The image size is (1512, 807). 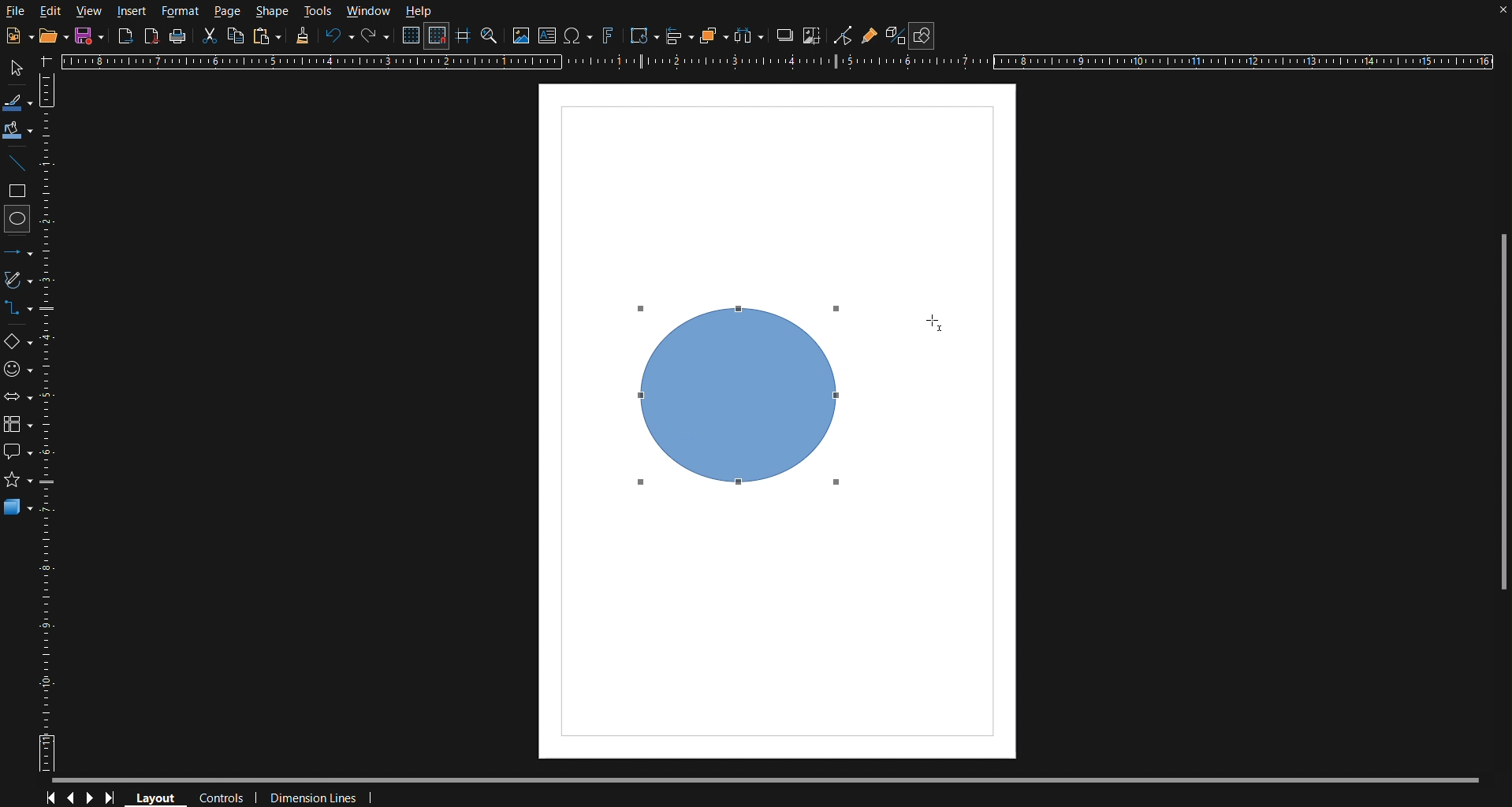 What do you see at coordinates (711, 35) in the screenshot?
I see `Arrange` at bounding box center [711, 35].